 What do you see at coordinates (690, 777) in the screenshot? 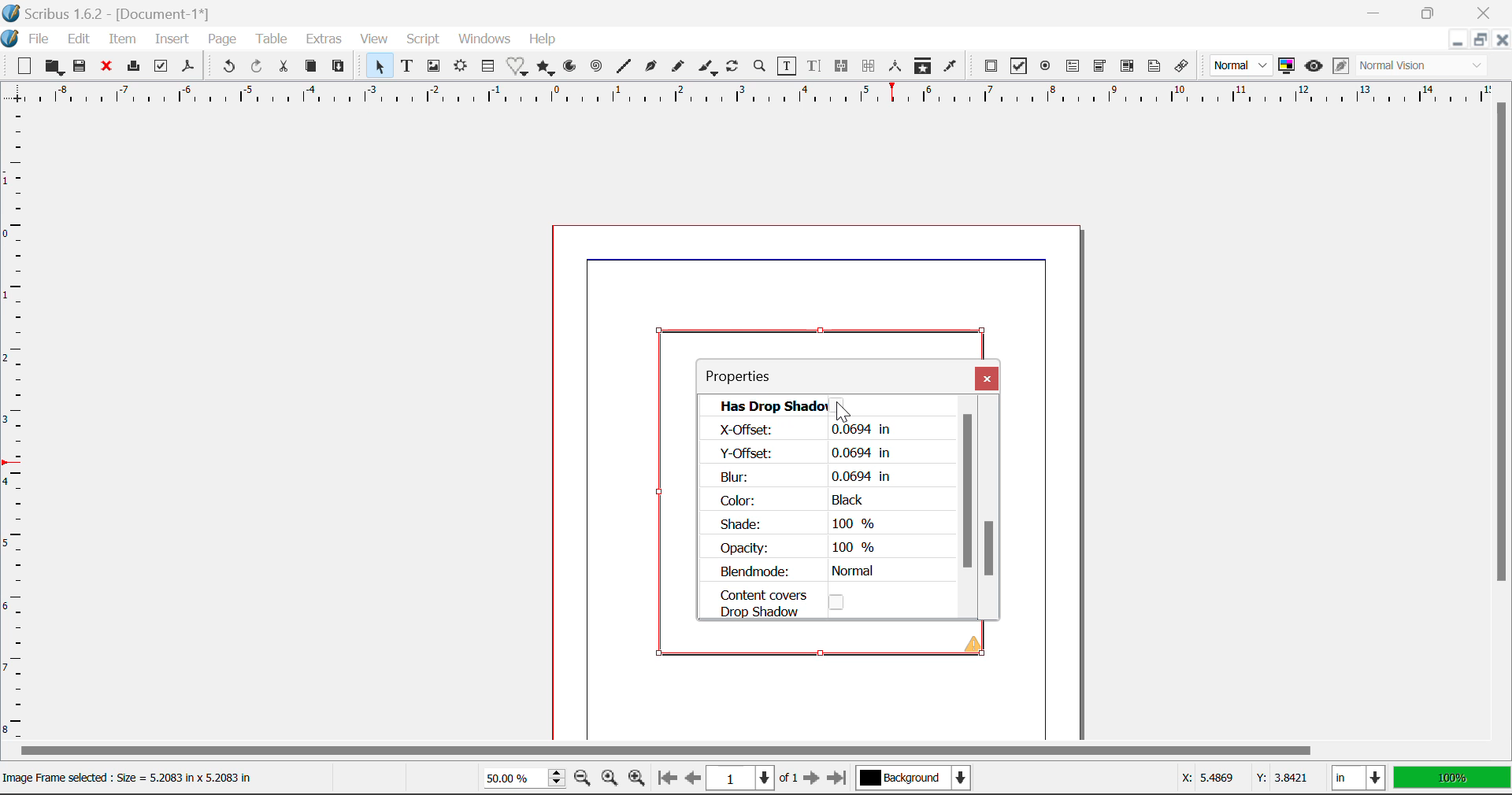
I see `Previous page` at bounding box center [690, 777].